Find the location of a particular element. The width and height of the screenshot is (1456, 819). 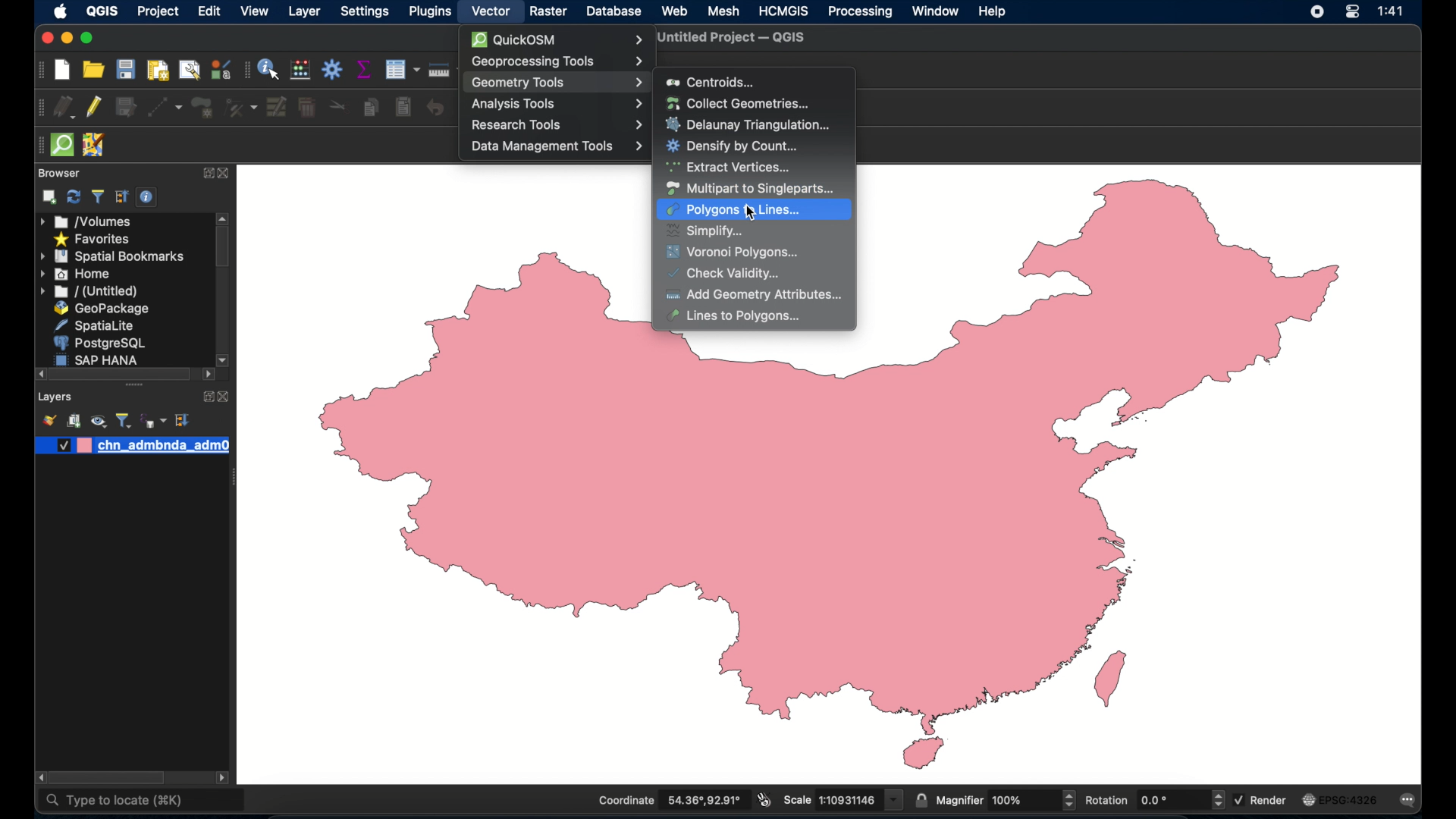

layer 1 is located at coordinates (133, 446).